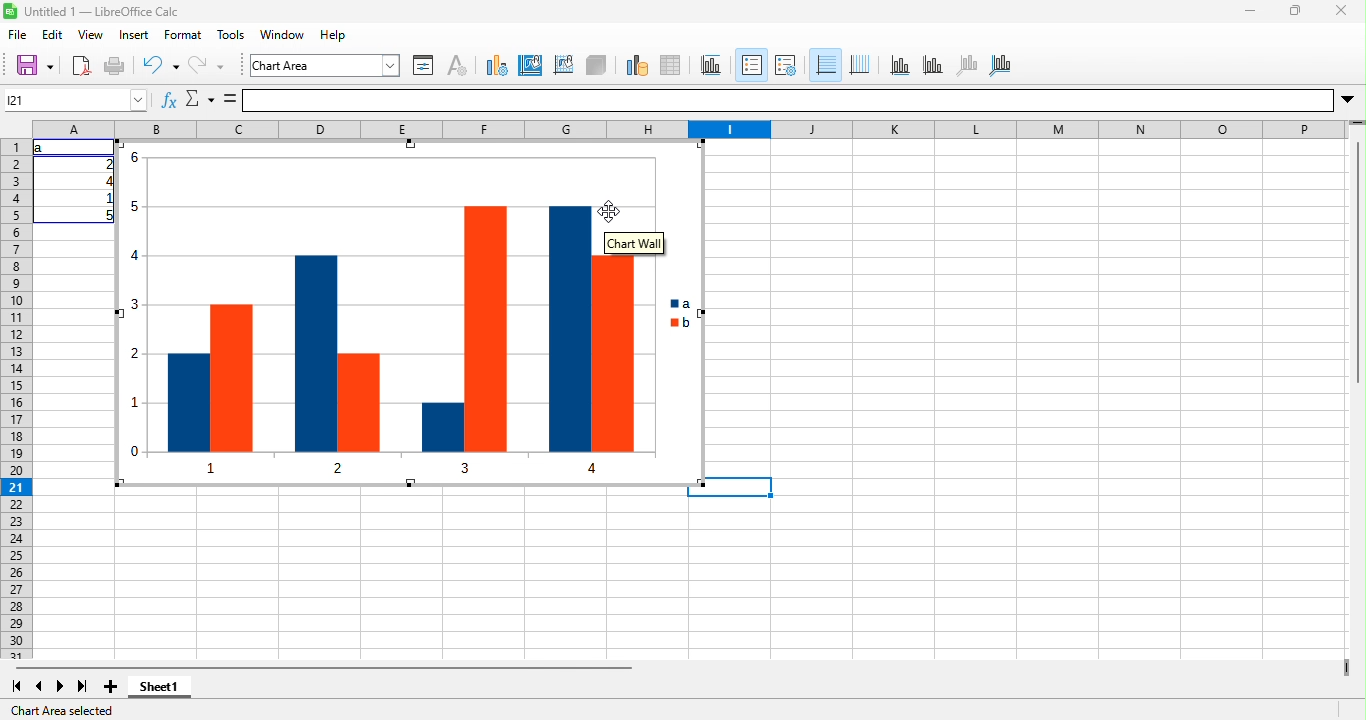 The image size is (1366, 720). I want to click on print, so click(114, 66).